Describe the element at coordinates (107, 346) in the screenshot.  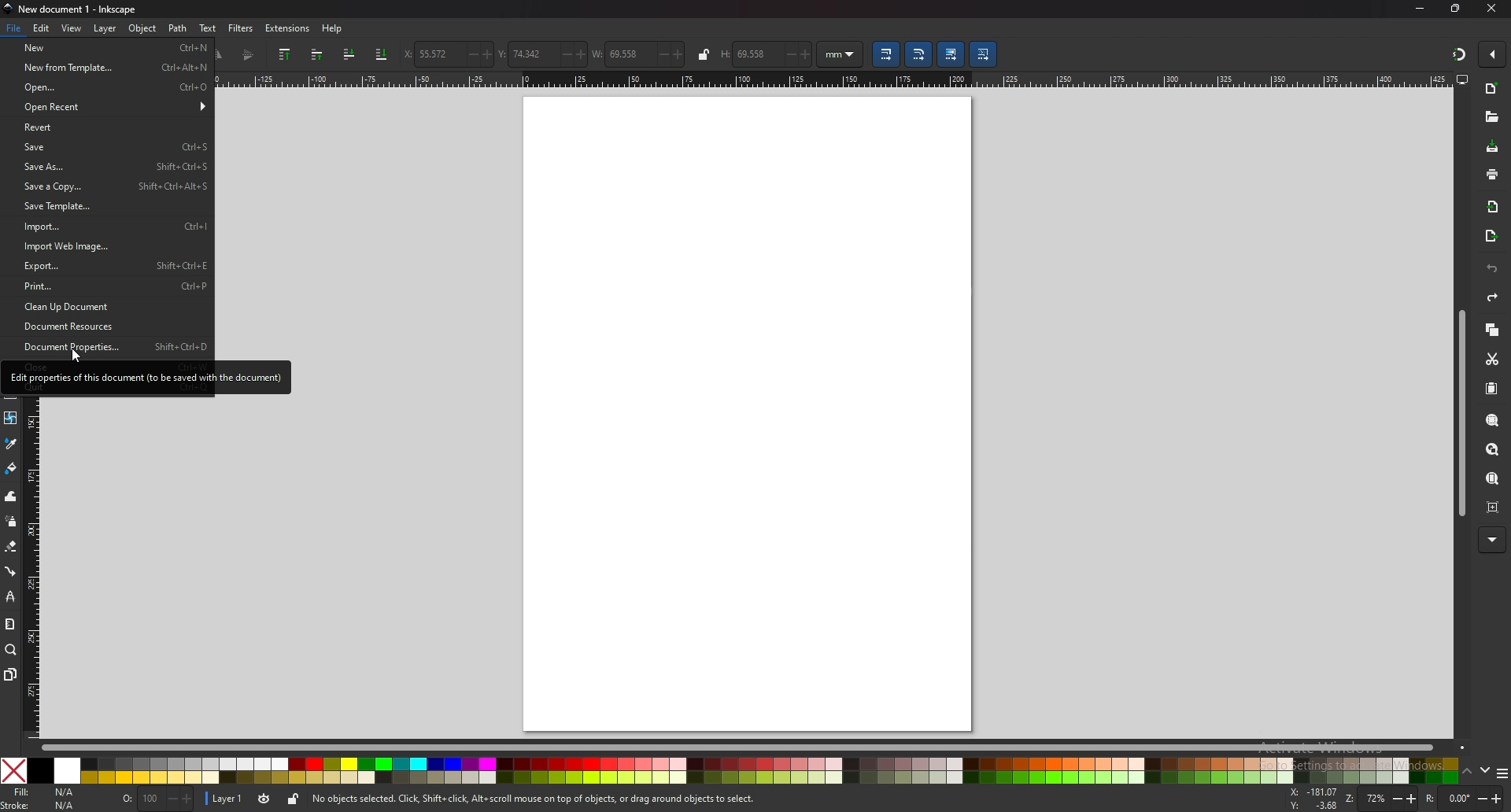
I see `document properties` at that location.